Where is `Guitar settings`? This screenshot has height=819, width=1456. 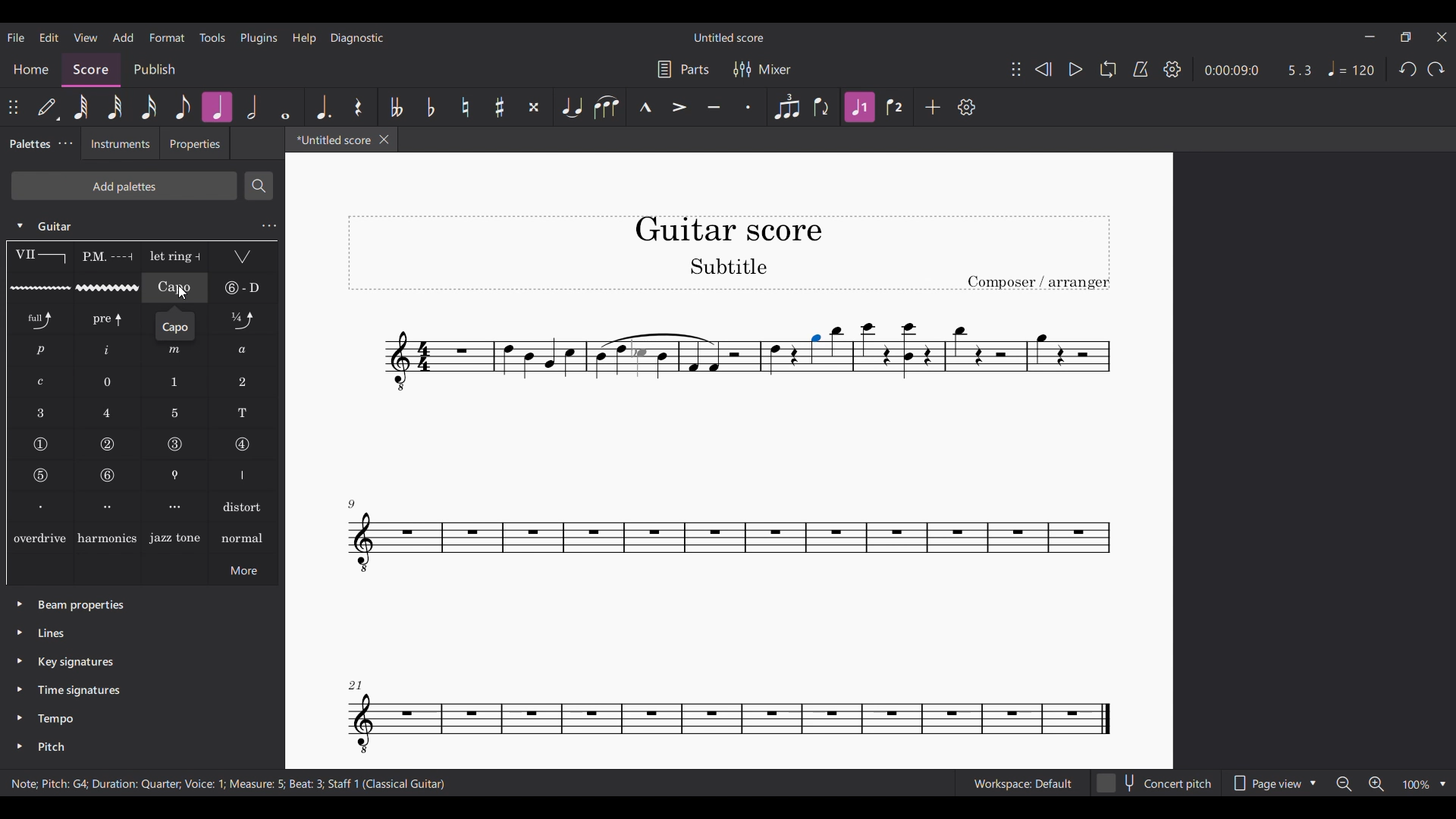
Guitar settings is located at coordinates (269, 226).